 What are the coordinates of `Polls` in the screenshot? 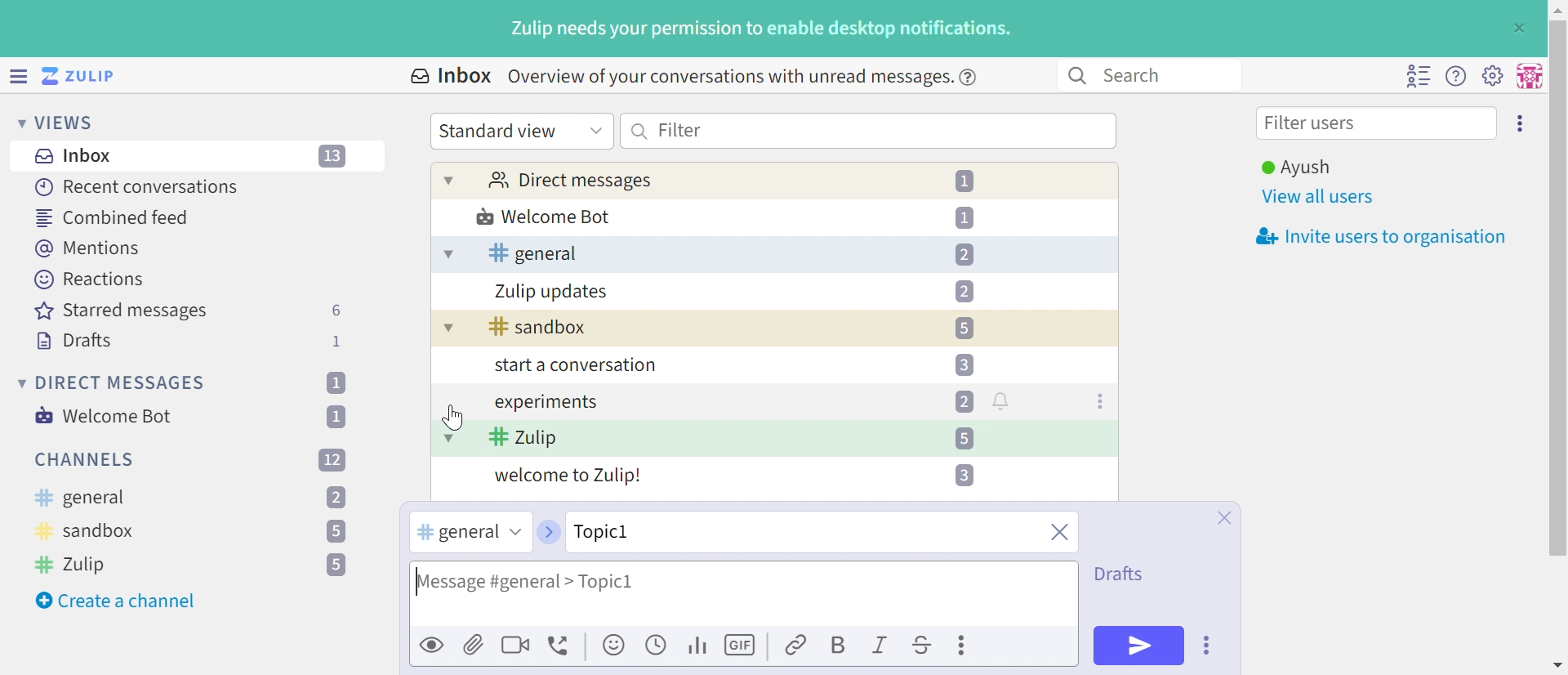 It's located at (699, 644).